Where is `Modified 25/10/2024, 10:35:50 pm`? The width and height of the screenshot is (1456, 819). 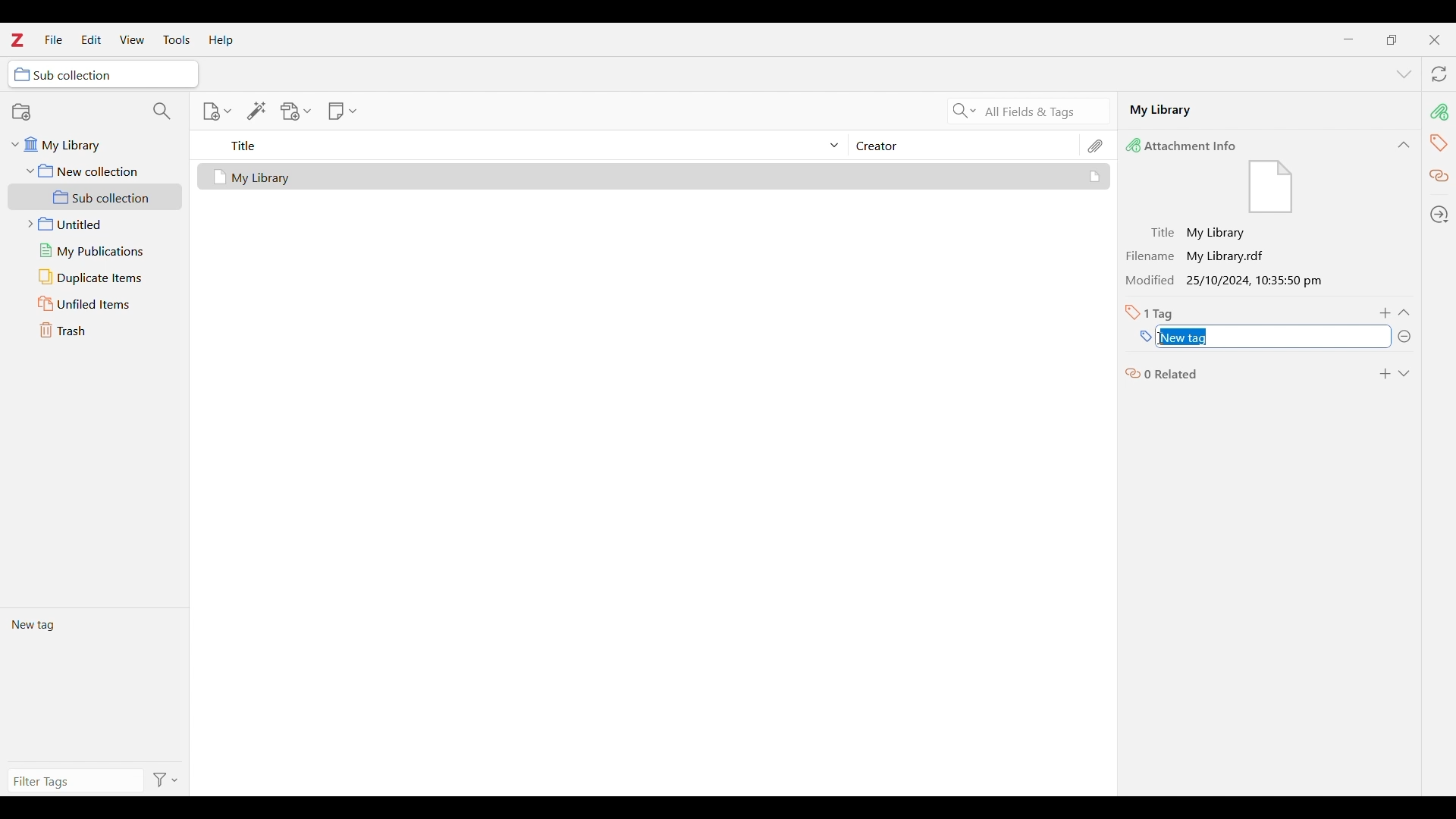 Modified 25/10/2024, 10:35:50 pm is located at coordinates (1228, 281).